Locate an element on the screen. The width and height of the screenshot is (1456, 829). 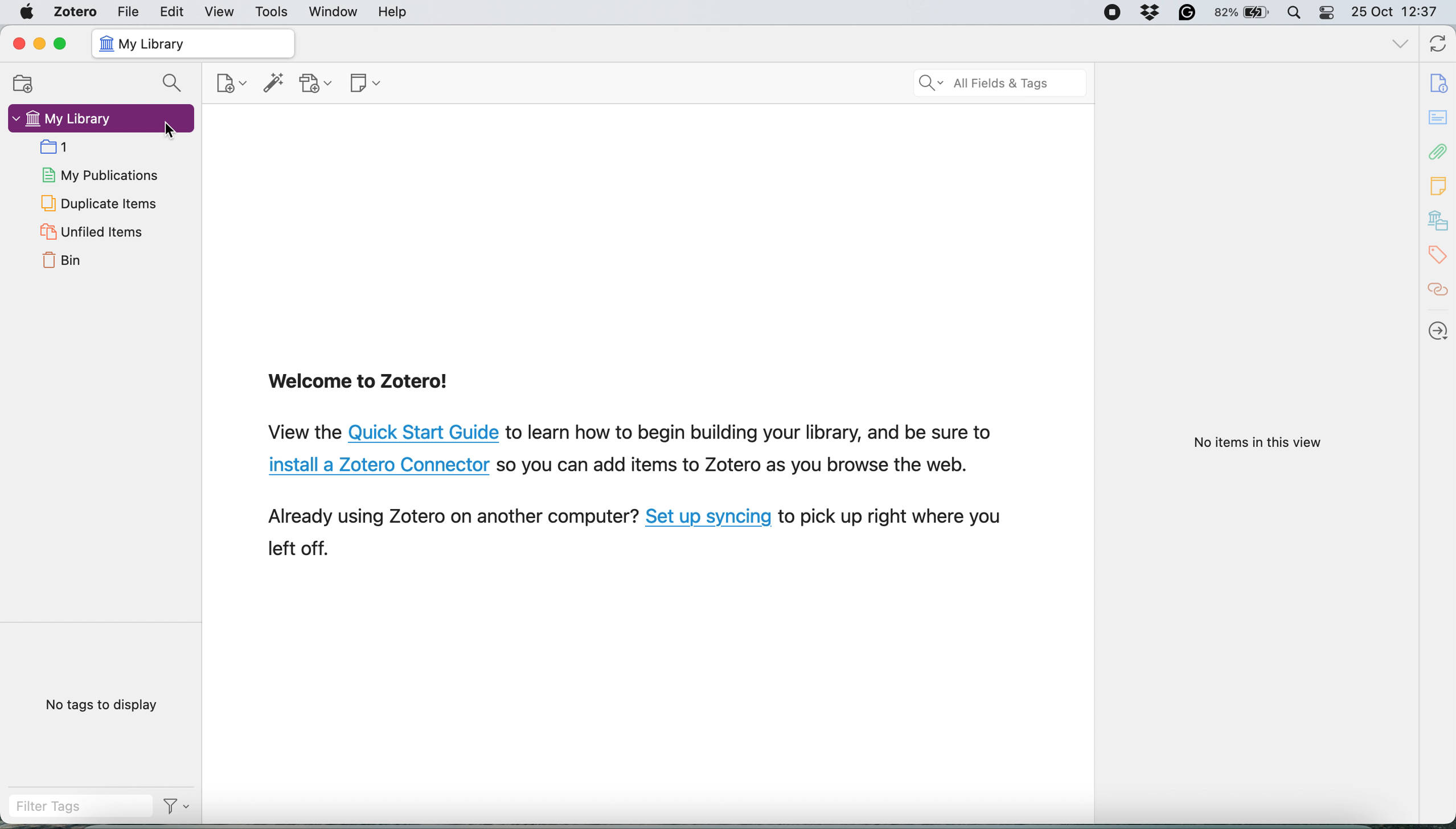
25 Oct 12:37 is located at coordinates (1397, 13).